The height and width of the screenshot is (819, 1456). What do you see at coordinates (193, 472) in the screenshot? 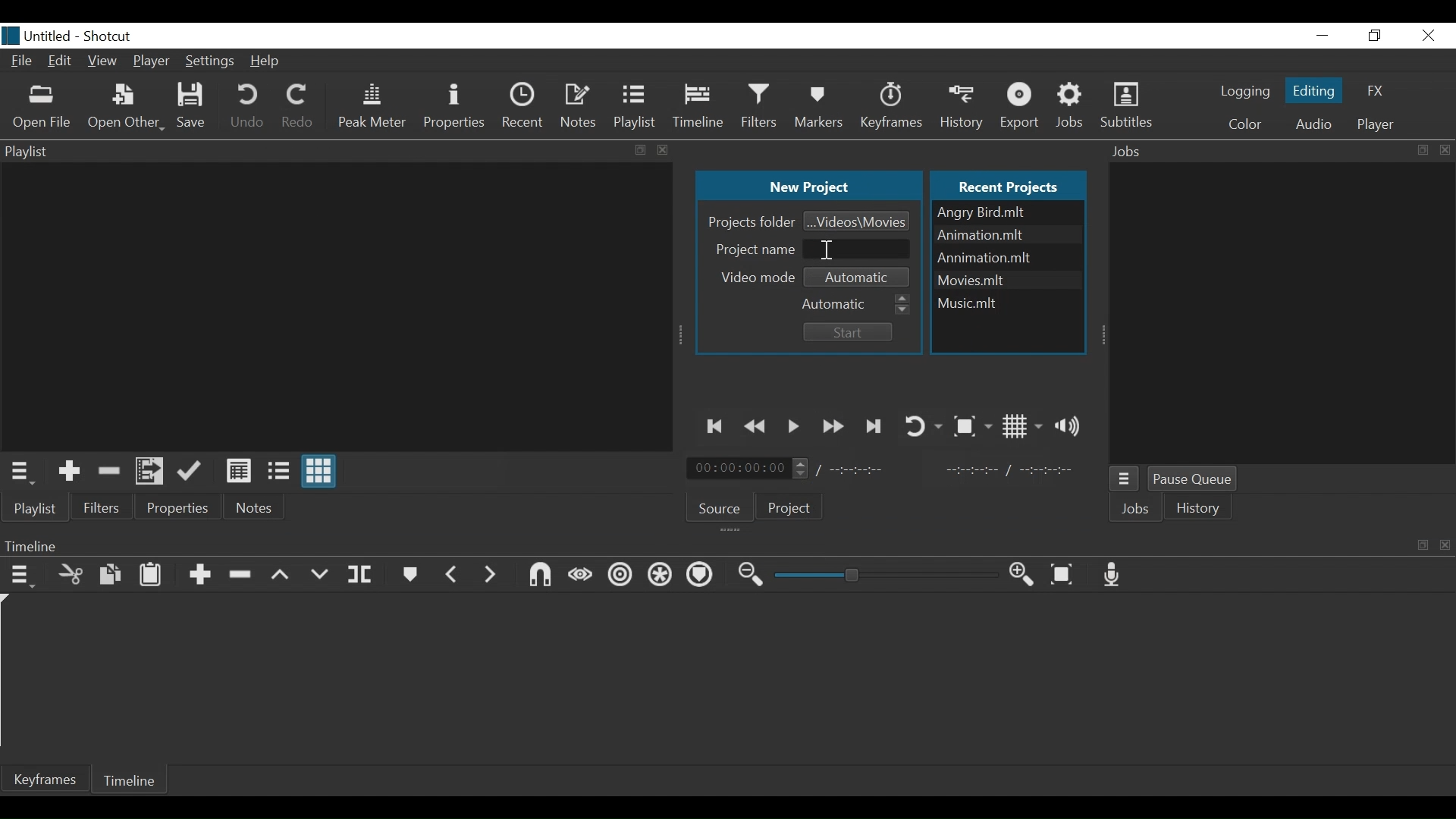
I see `Update` at bounding box center [193, 472].